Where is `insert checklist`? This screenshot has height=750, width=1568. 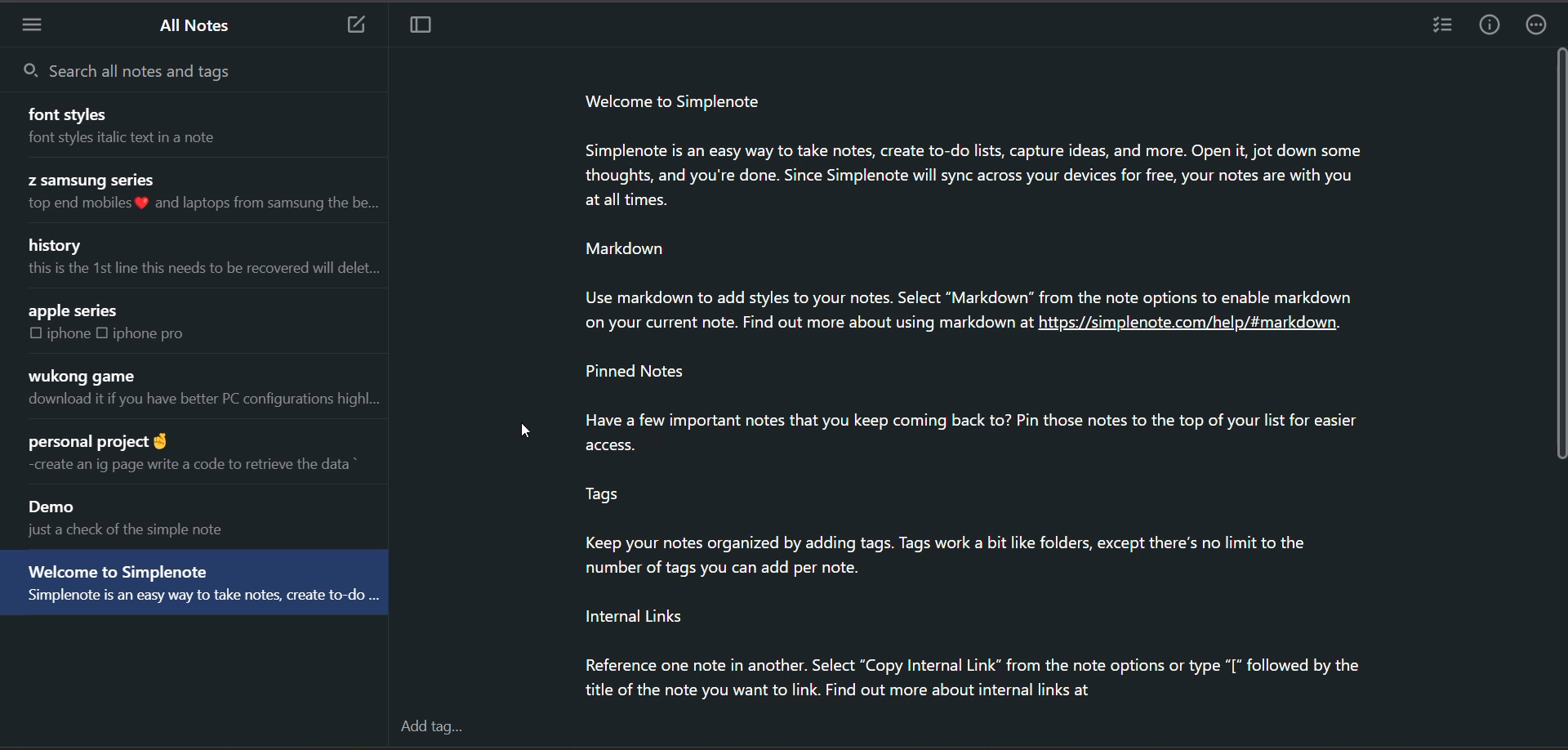
insert checklist is located at coordinates (1444, 25).